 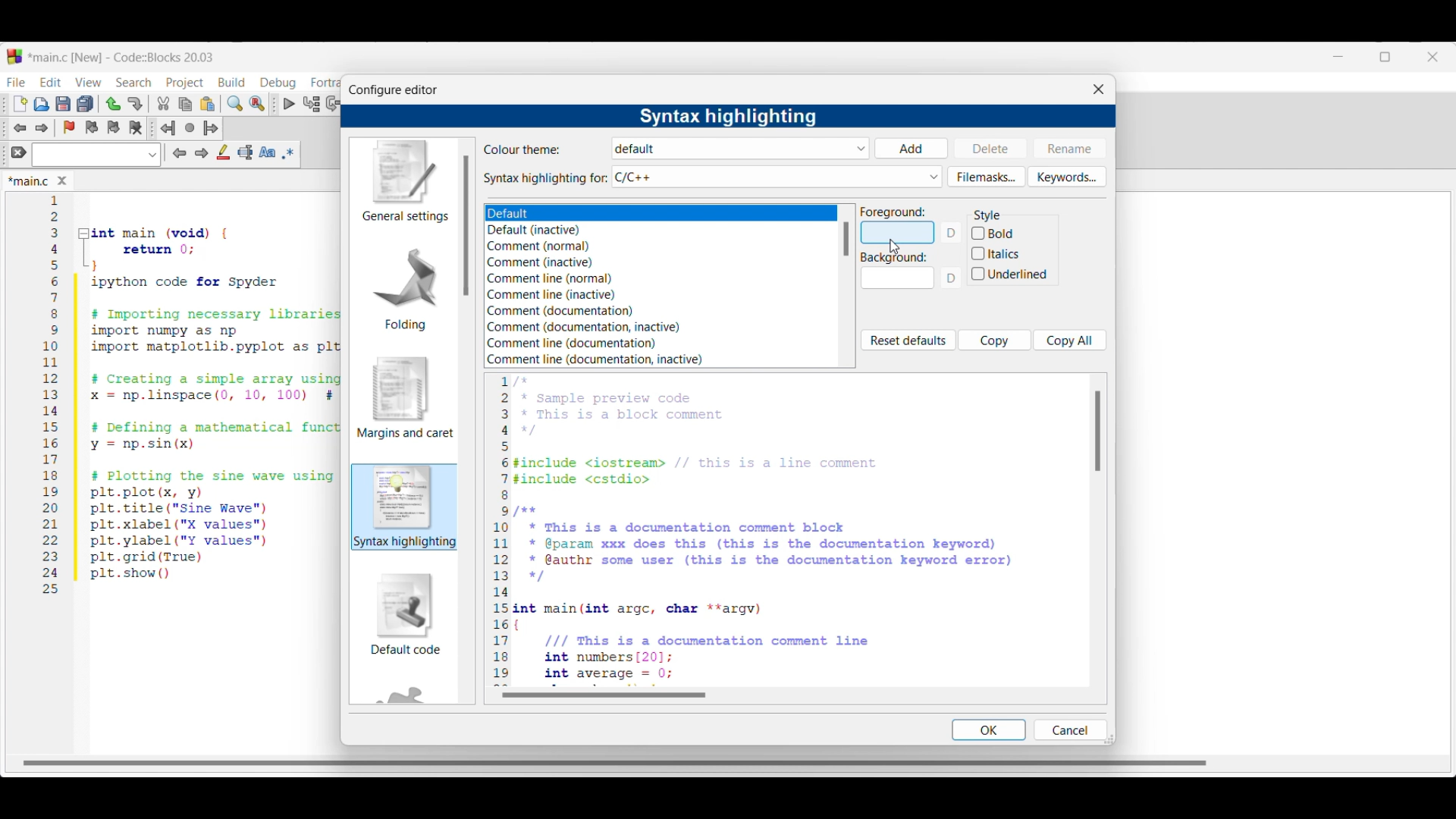 What do you see at coordinates (19, 152) in the screenshot?
I see `Clear` at bounding box center [19, 152].